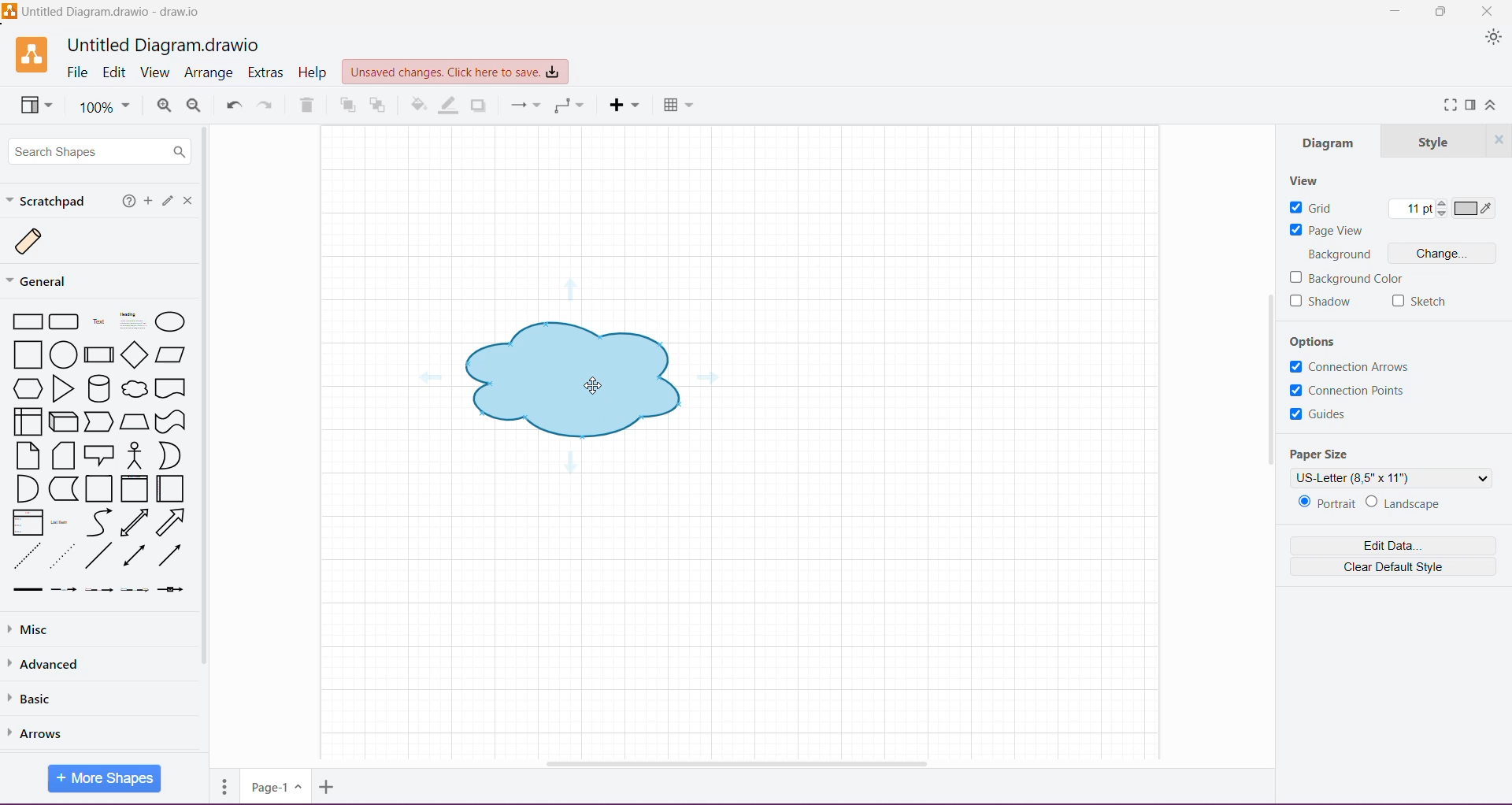  I want to click on To Front, so click(346, 106).